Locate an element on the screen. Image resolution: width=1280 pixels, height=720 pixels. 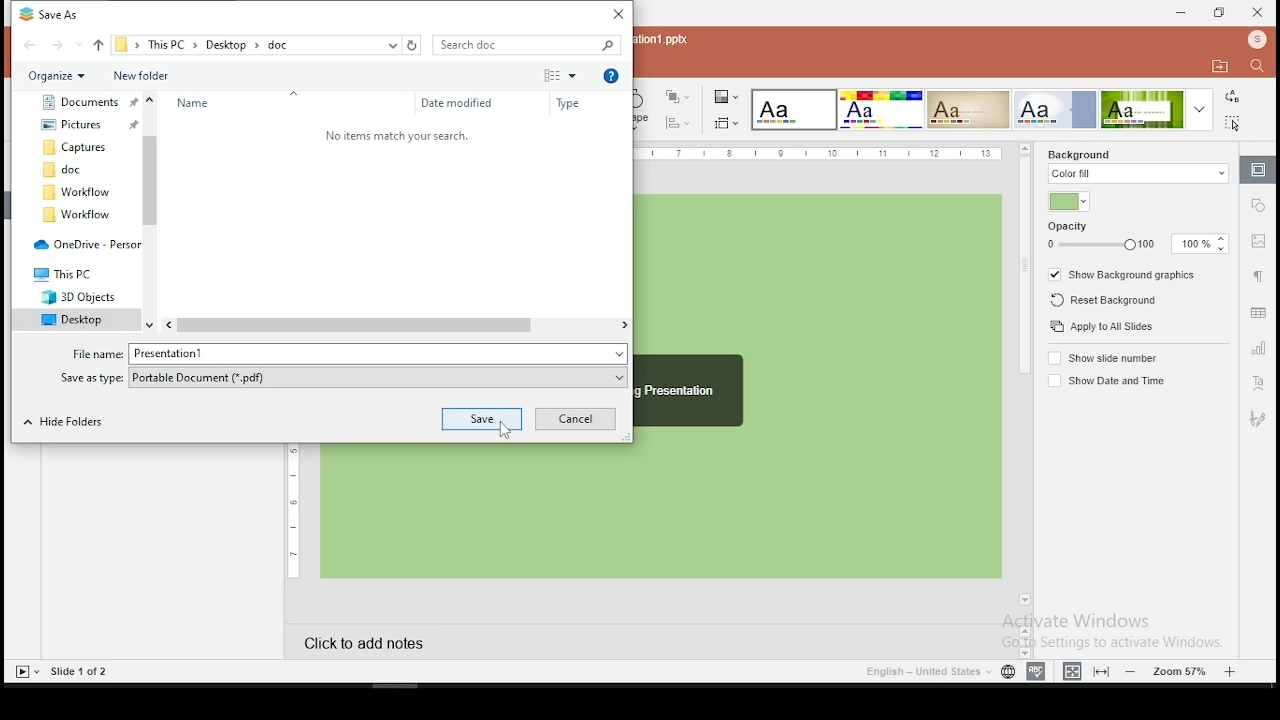
select color theme is located at coordinates (1142, 109).